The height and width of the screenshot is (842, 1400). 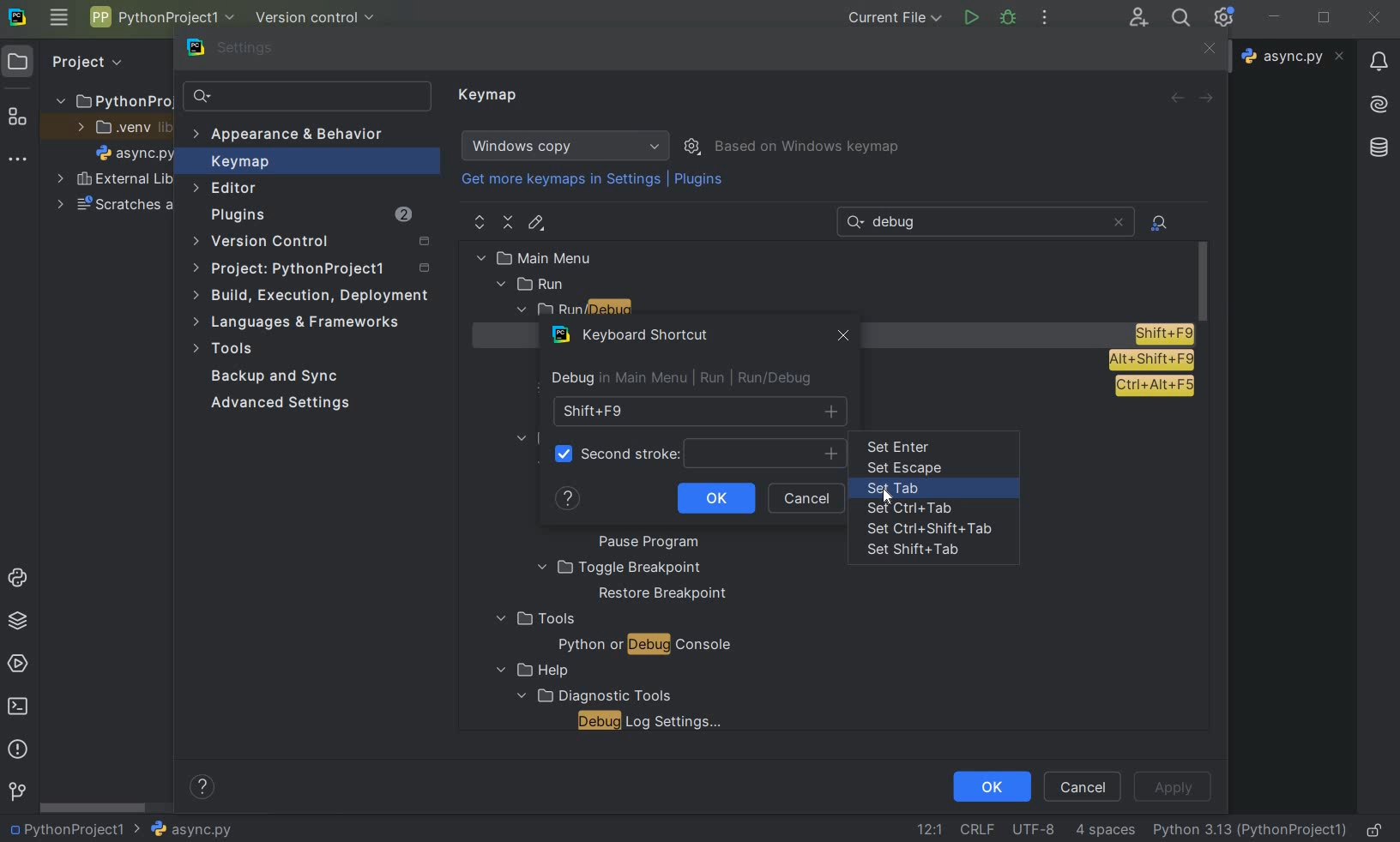 I want to click on backup and sync, so click(x=275, y=378).